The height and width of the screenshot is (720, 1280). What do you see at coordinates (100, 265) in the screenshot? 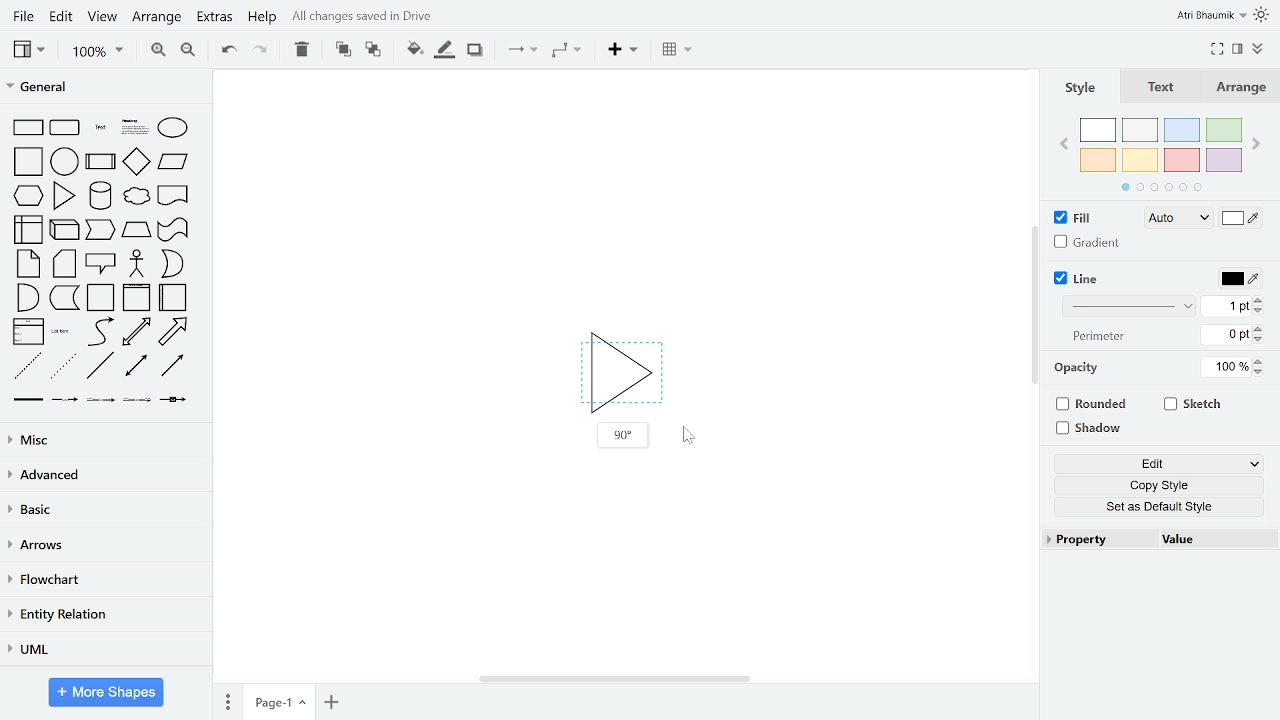
I see `callout` at bounding box center [100, 265].